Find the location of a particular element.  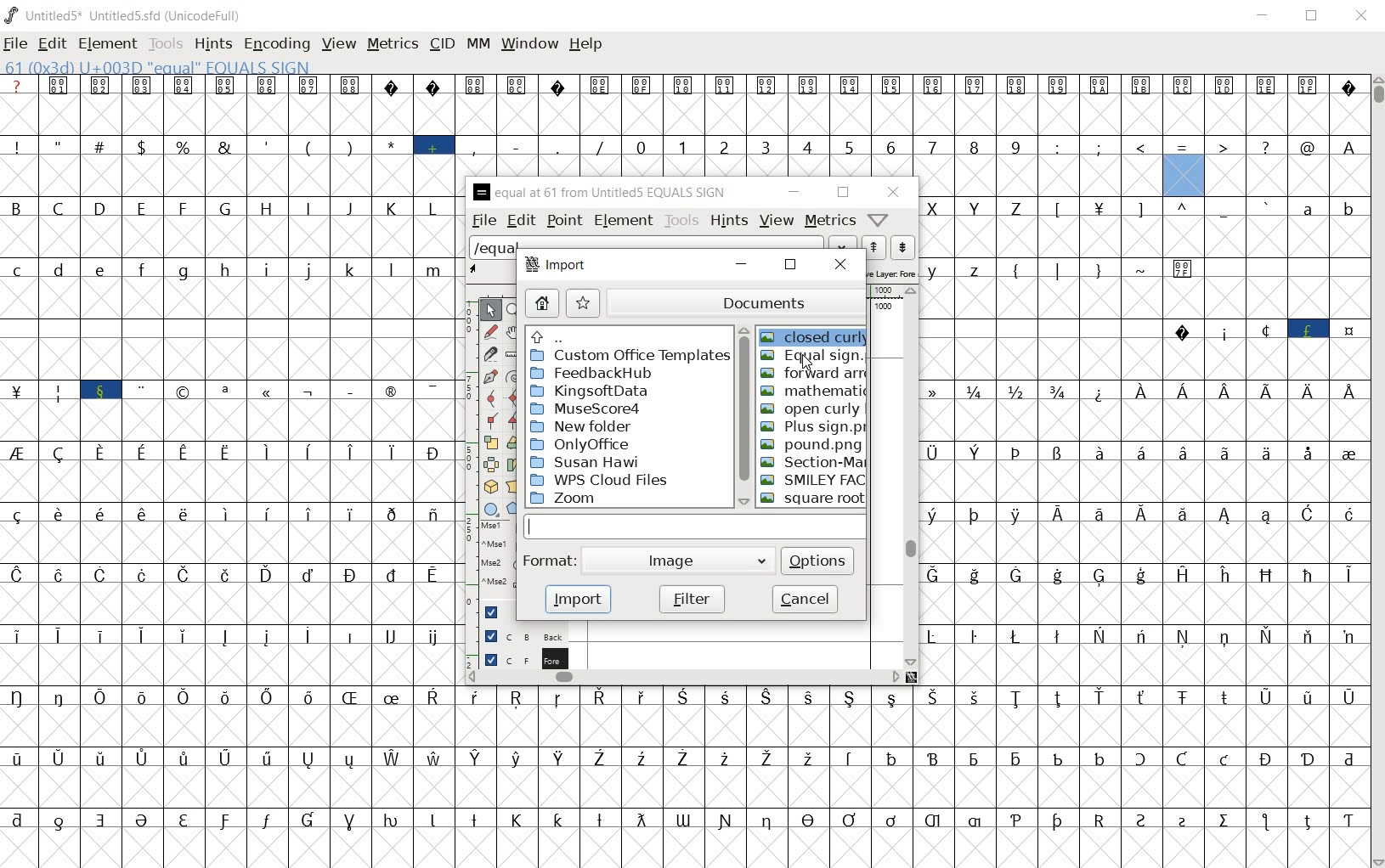

add a curve point always either horizontal or vertical is located at coordinates (514, 397).